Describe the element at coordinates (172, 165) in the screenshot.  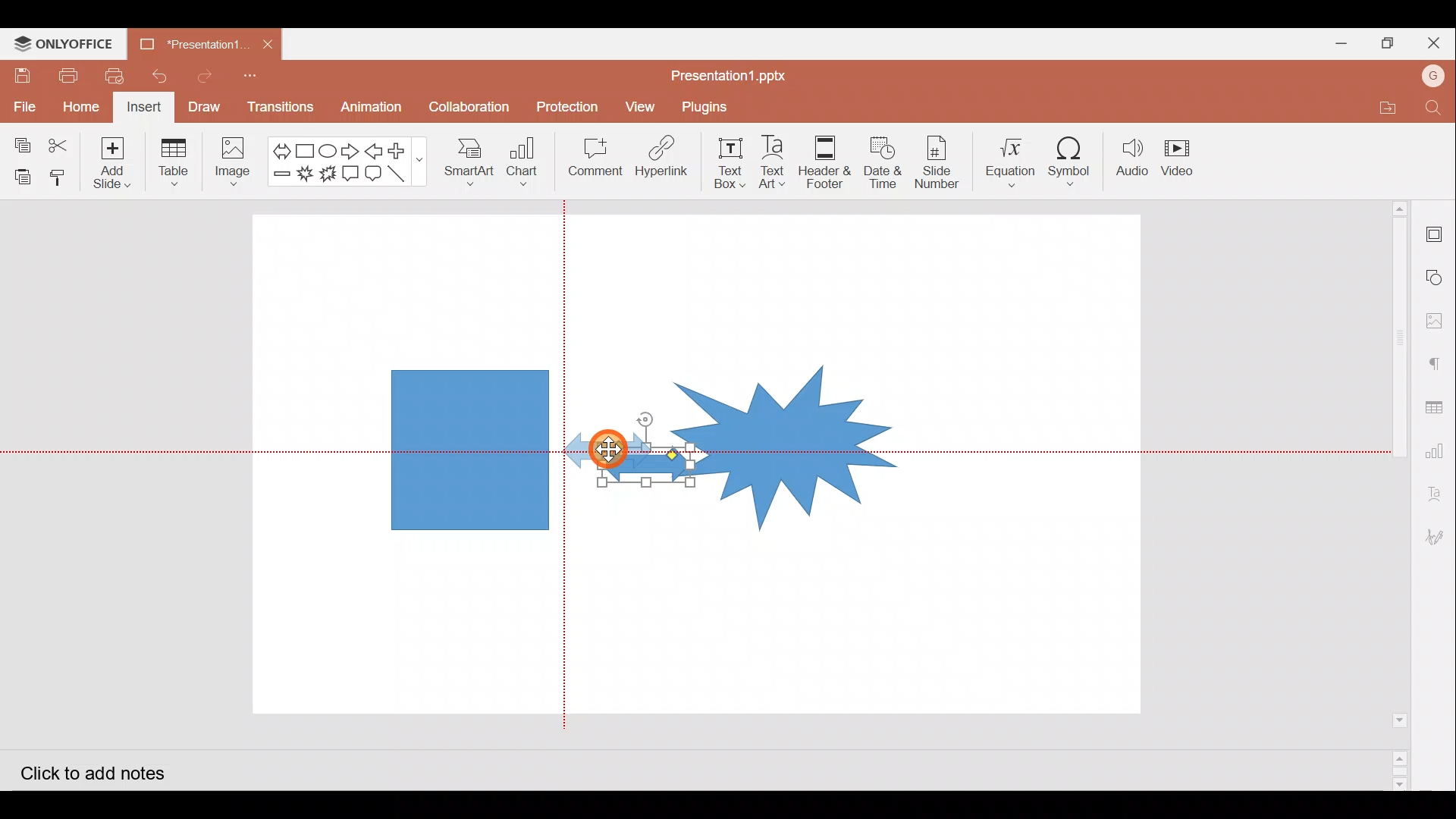
I see `Table` at that location.